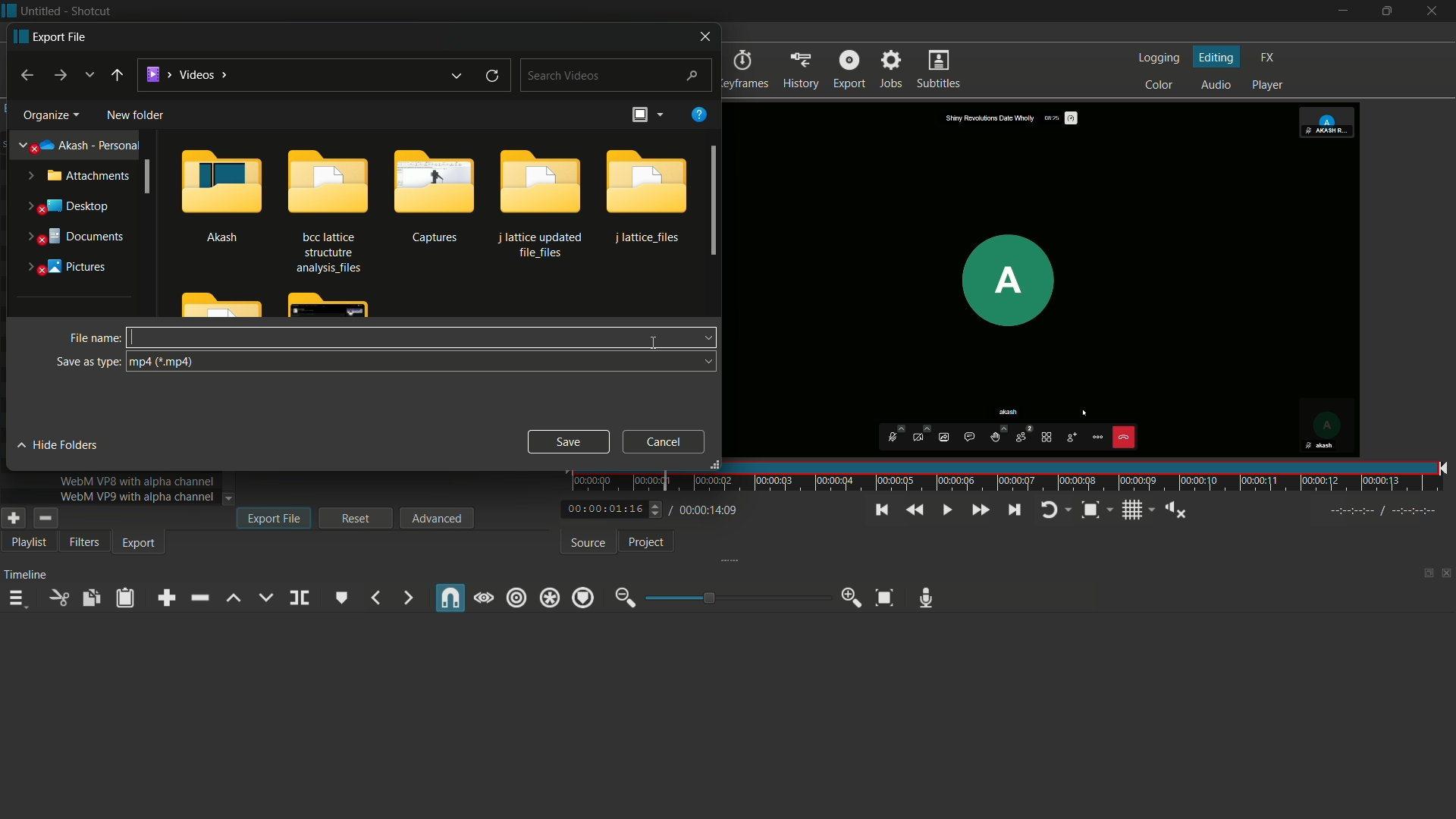 This screenshot has height=819, width=1456. I want to click on imported file, so click(1049, 280).